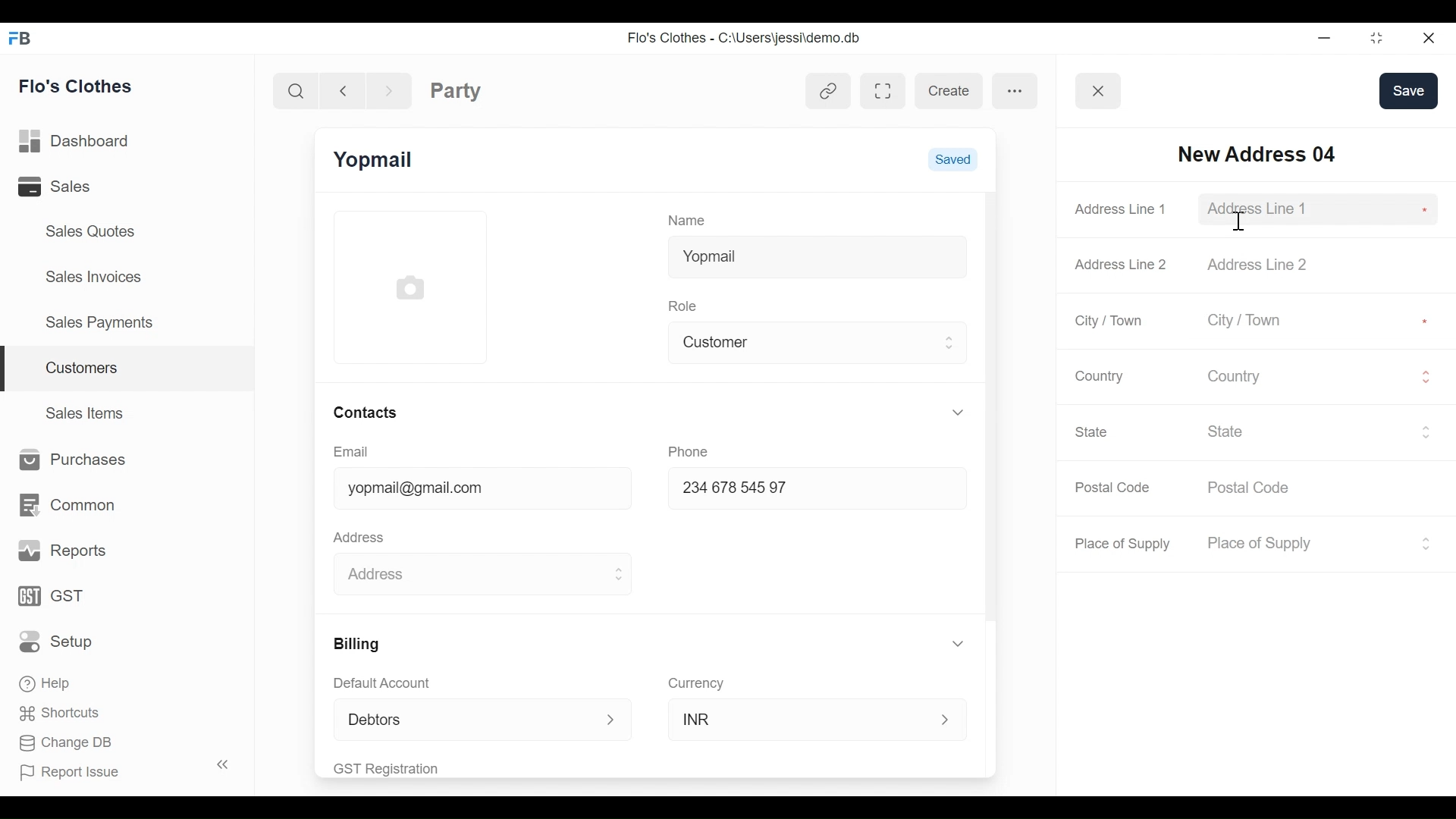  What do you see at coordinates (129, 369) in the screenshot?
I see `Customers` at bounding box center [129, 369].